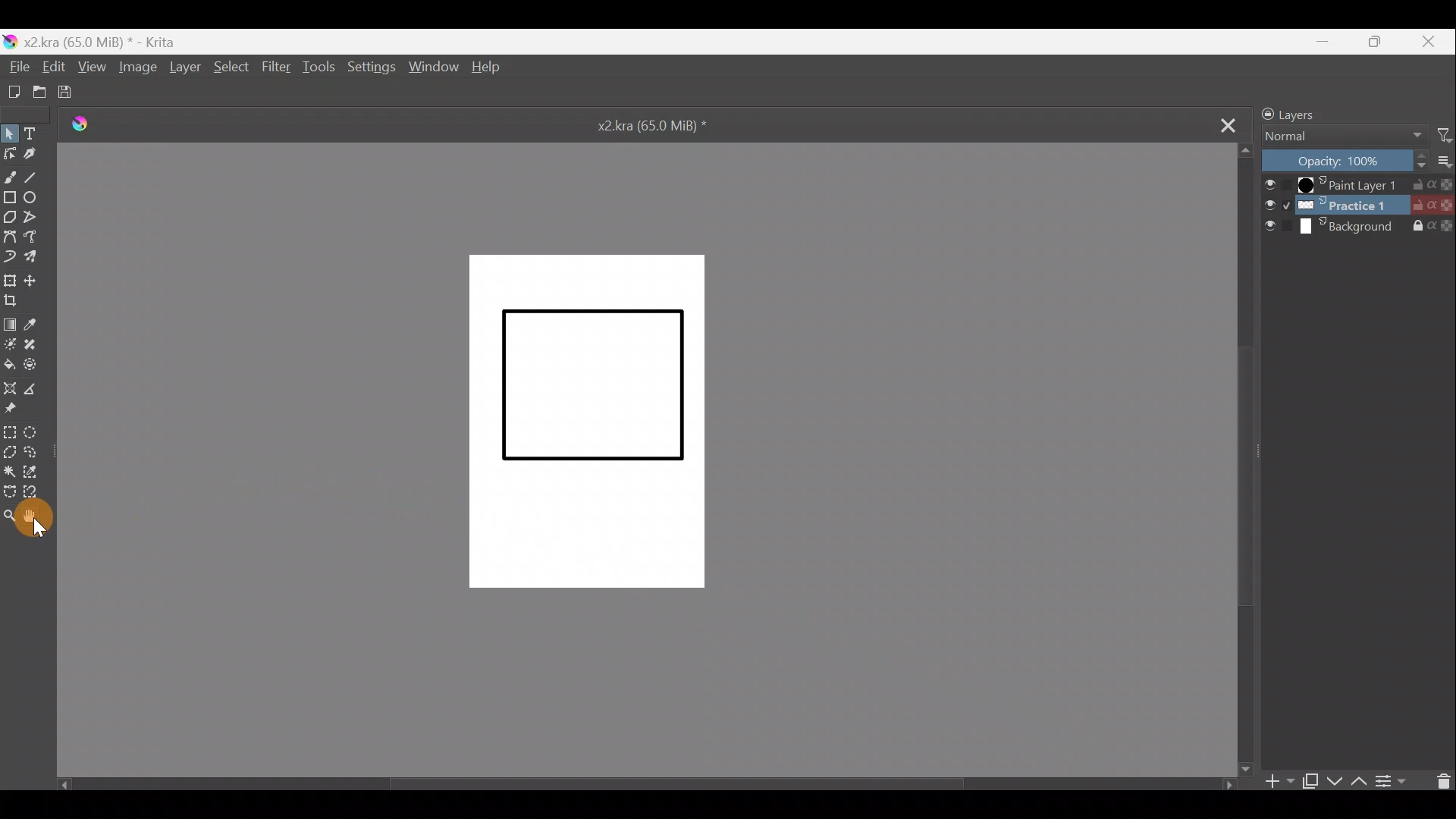 The height and width of the screenshot is (819, 1456). I want to click on View, so click(90, 67).